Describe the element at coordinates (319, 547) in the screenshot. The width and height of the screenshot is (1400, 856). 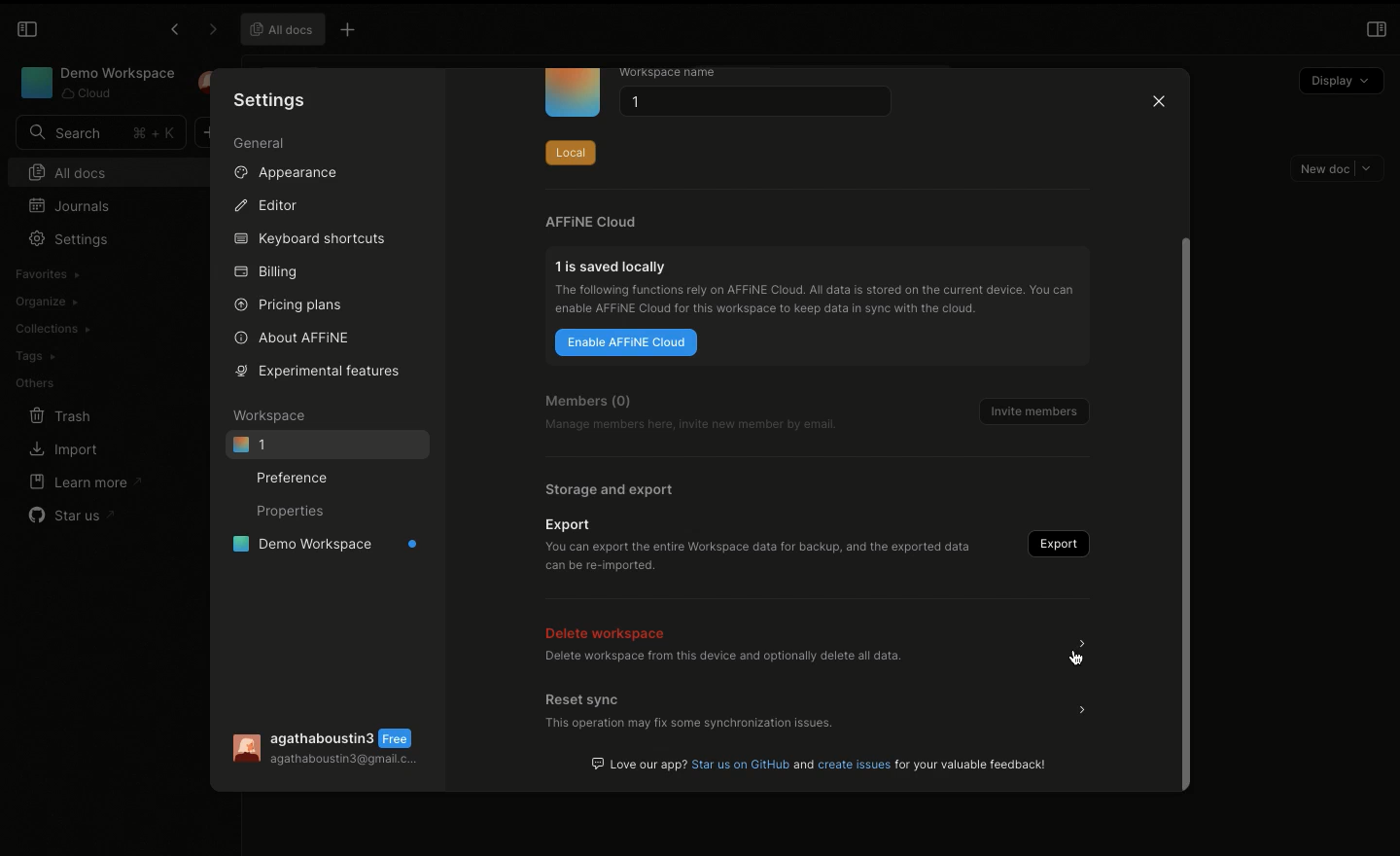
I see `Demo workspace` at that location.